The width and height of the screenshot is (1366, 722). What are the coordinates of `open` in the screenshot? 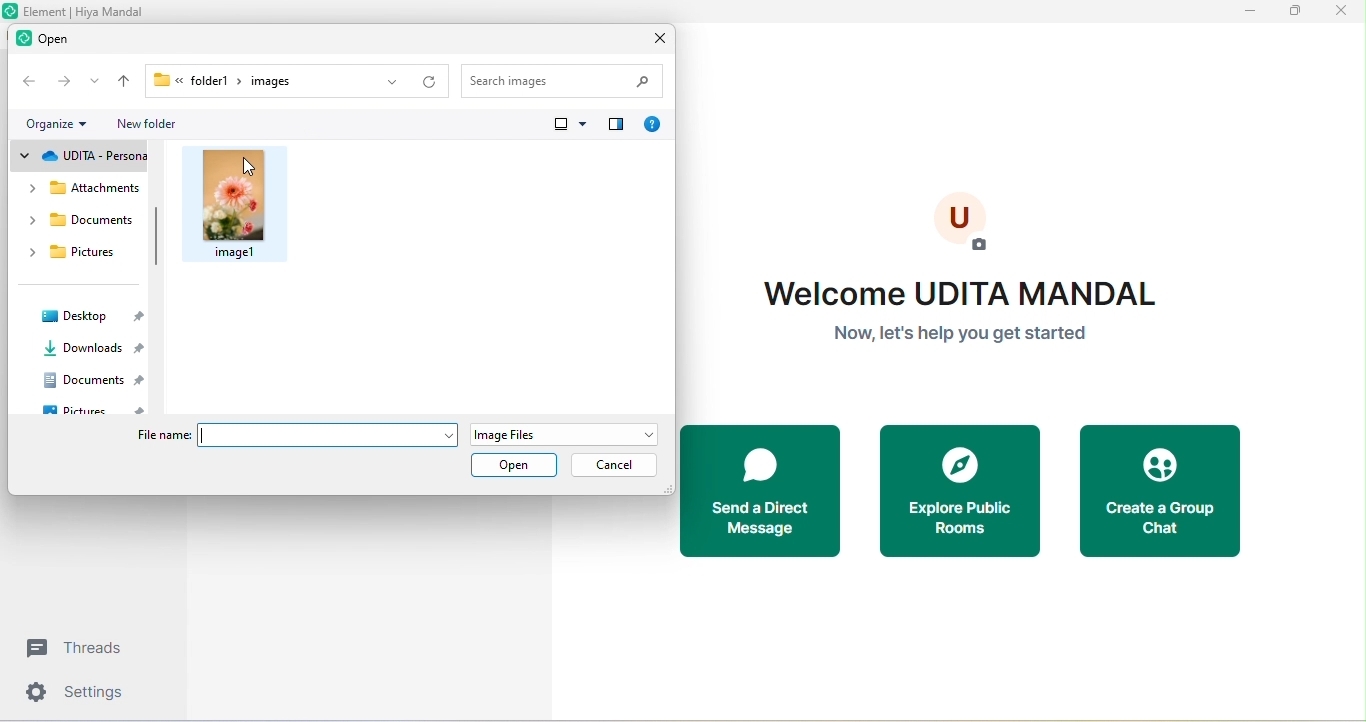 It's located at (520, 467).